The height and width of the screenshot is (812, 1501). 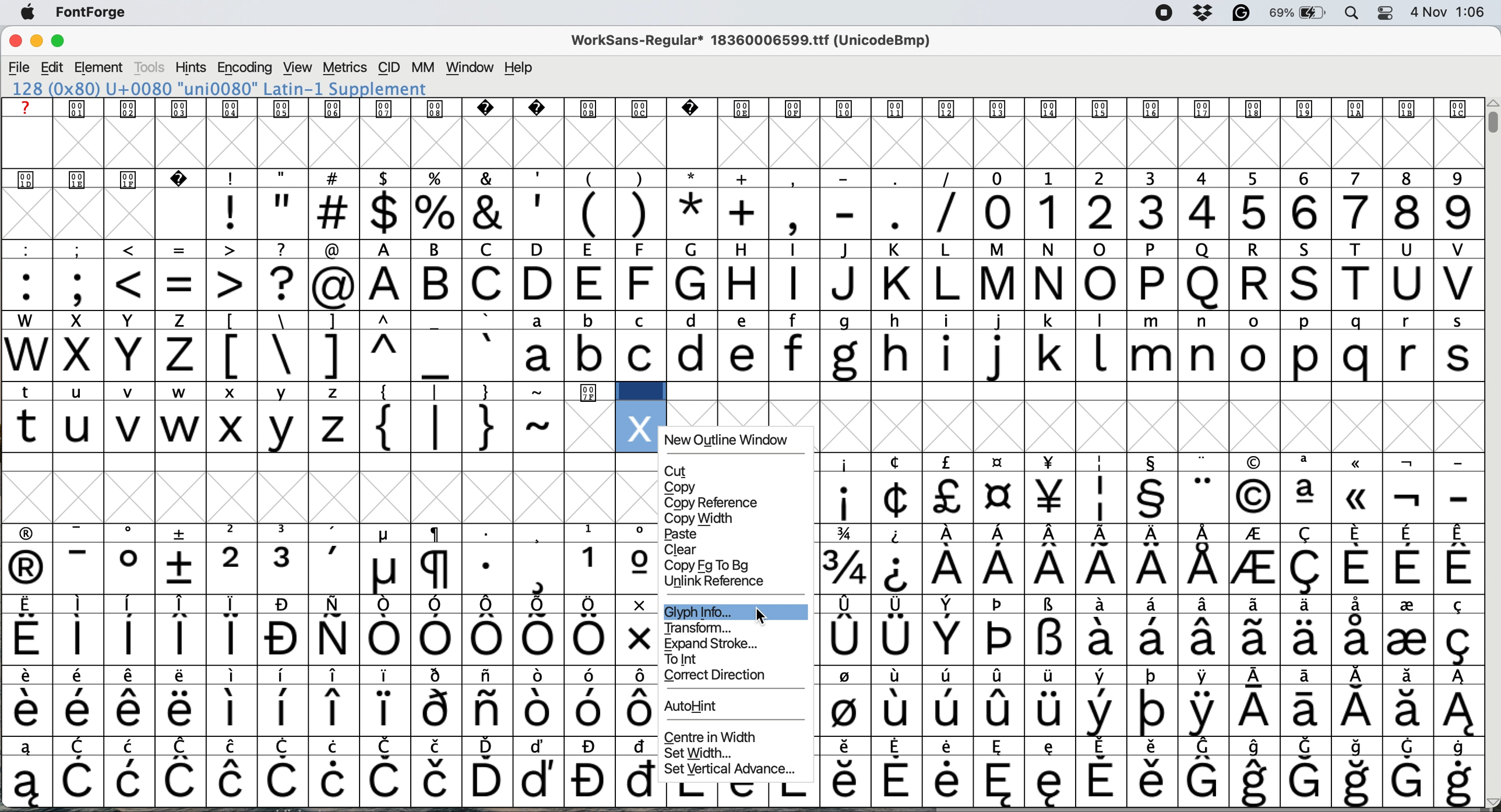 I want to click on fontforge, so click(x=96, y=15).